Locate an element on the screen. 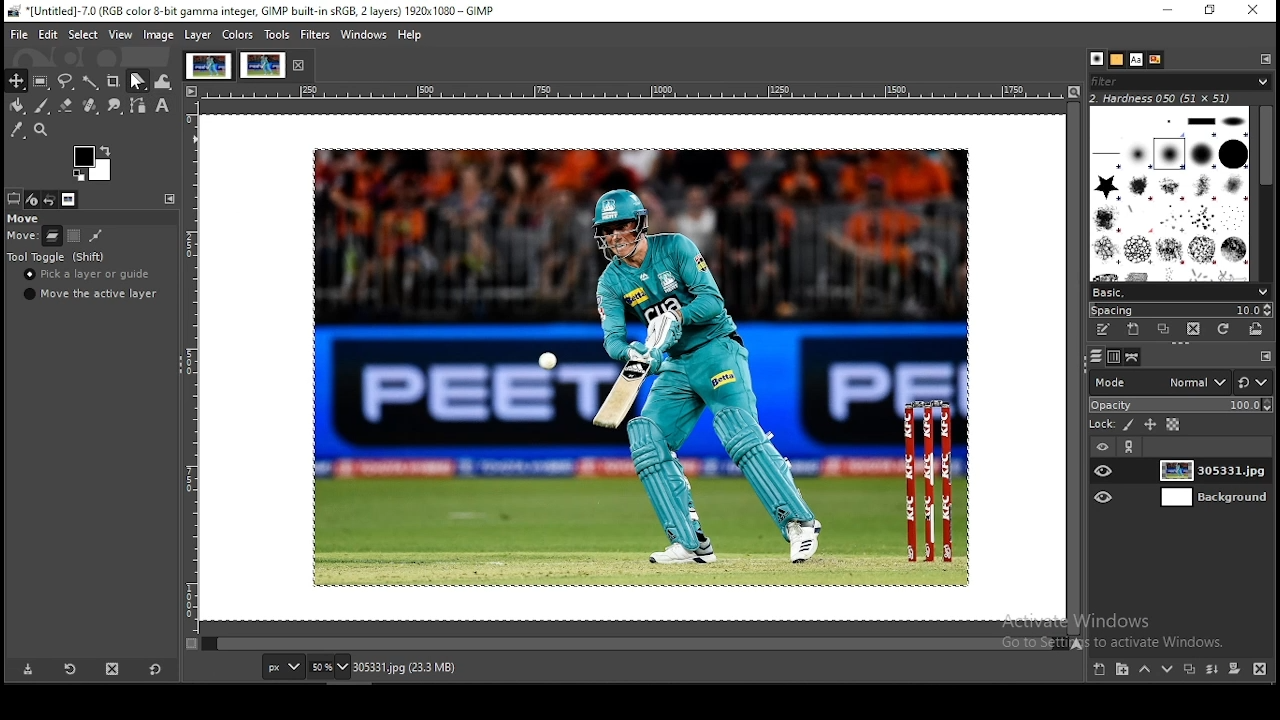 The image size is (1280, 720). restore is located at coordinates (1211, 12).